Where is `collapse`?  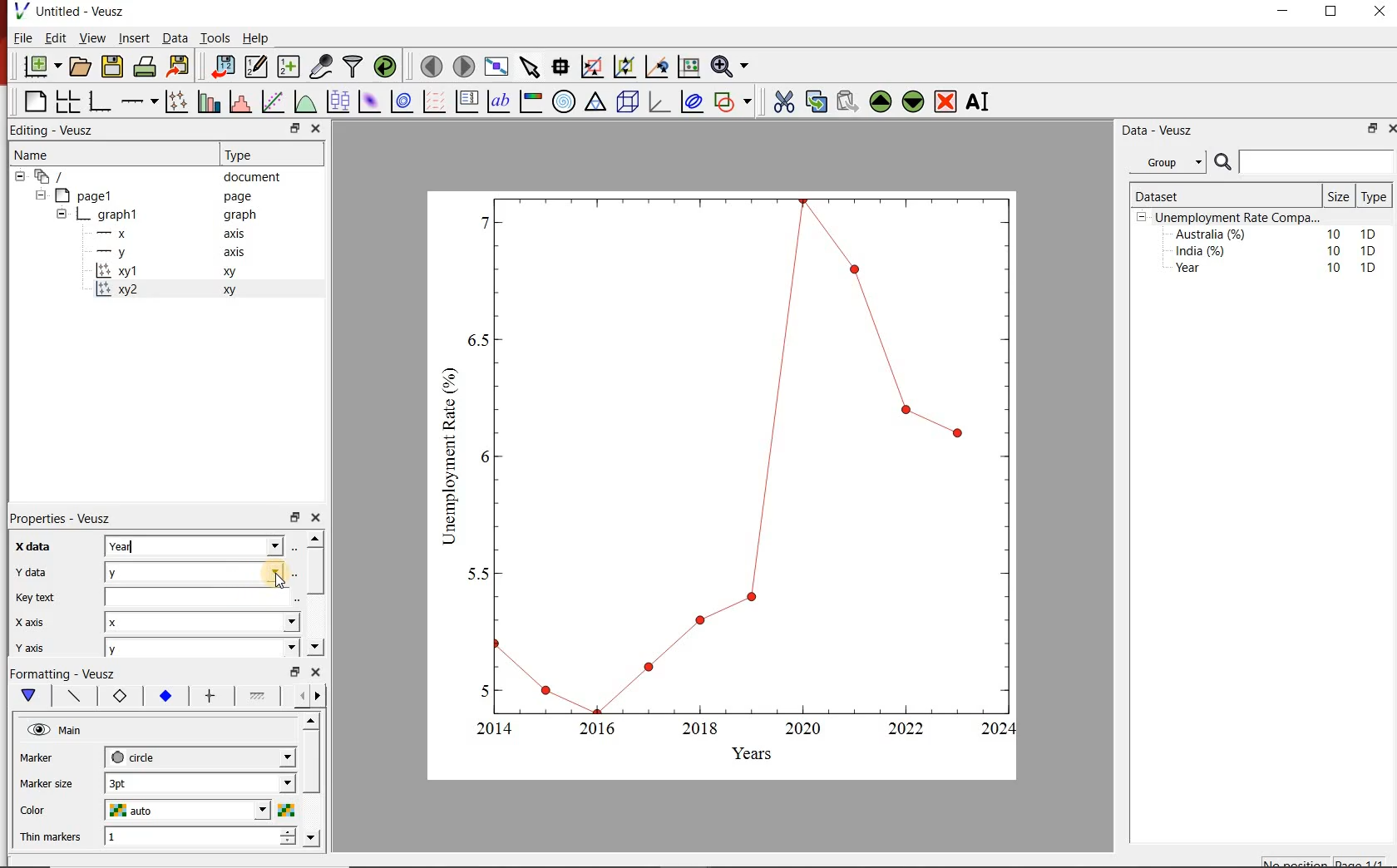 collapse is located at coordinates (40, 195).